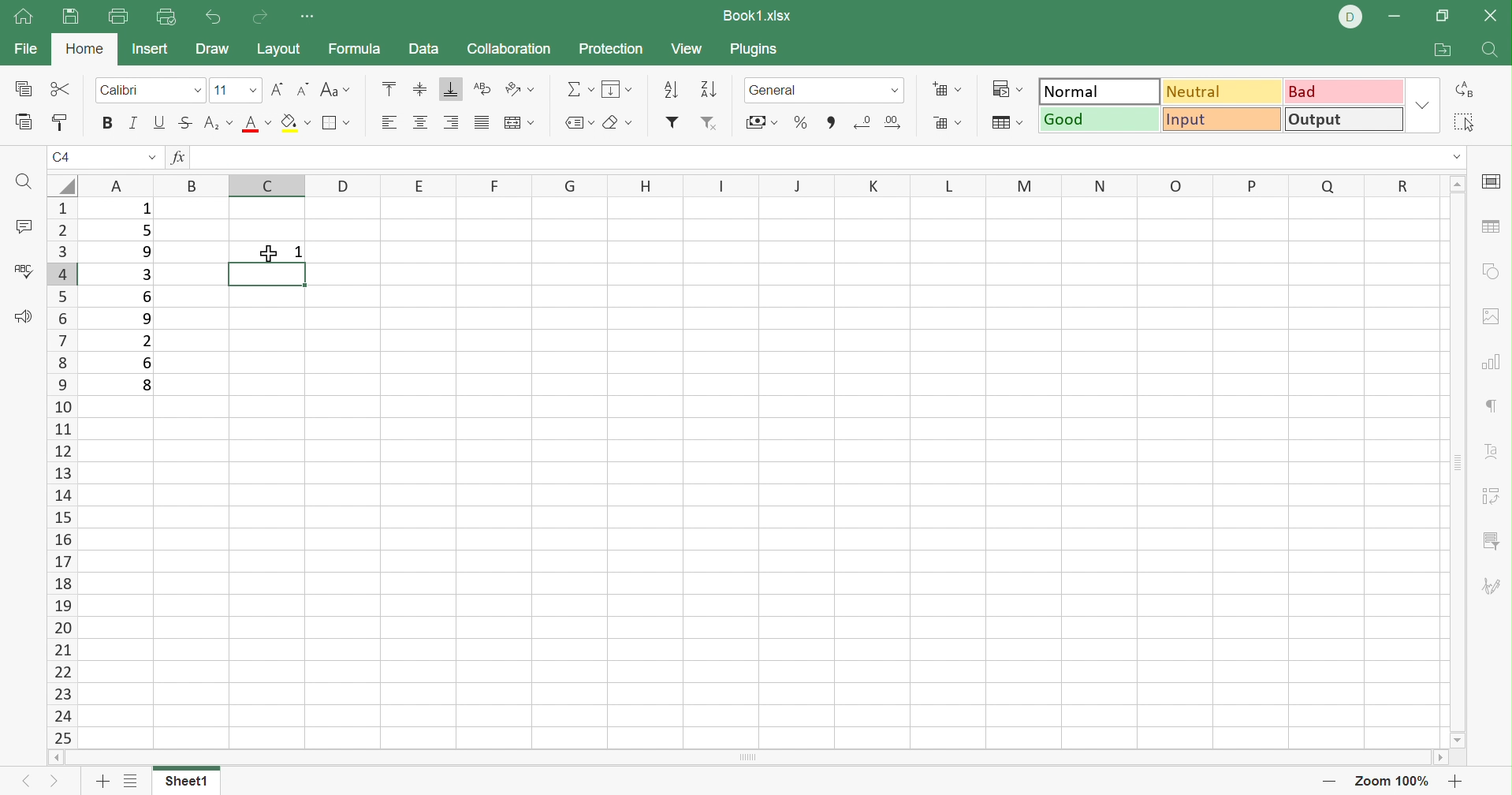  I want to click on Zoom 100%, so click(1390, 780).